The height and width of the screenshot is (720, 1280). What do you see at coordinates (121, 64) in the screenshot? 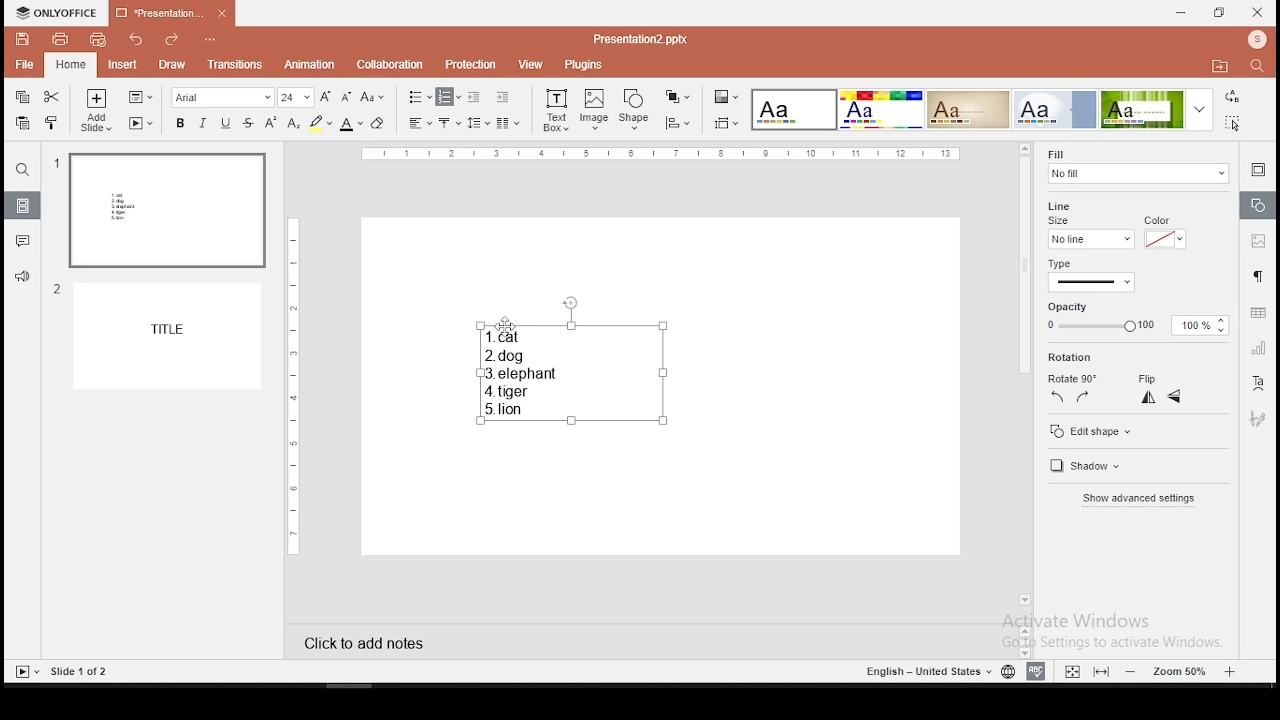
I see `insert` at bounding box center [121, 64].